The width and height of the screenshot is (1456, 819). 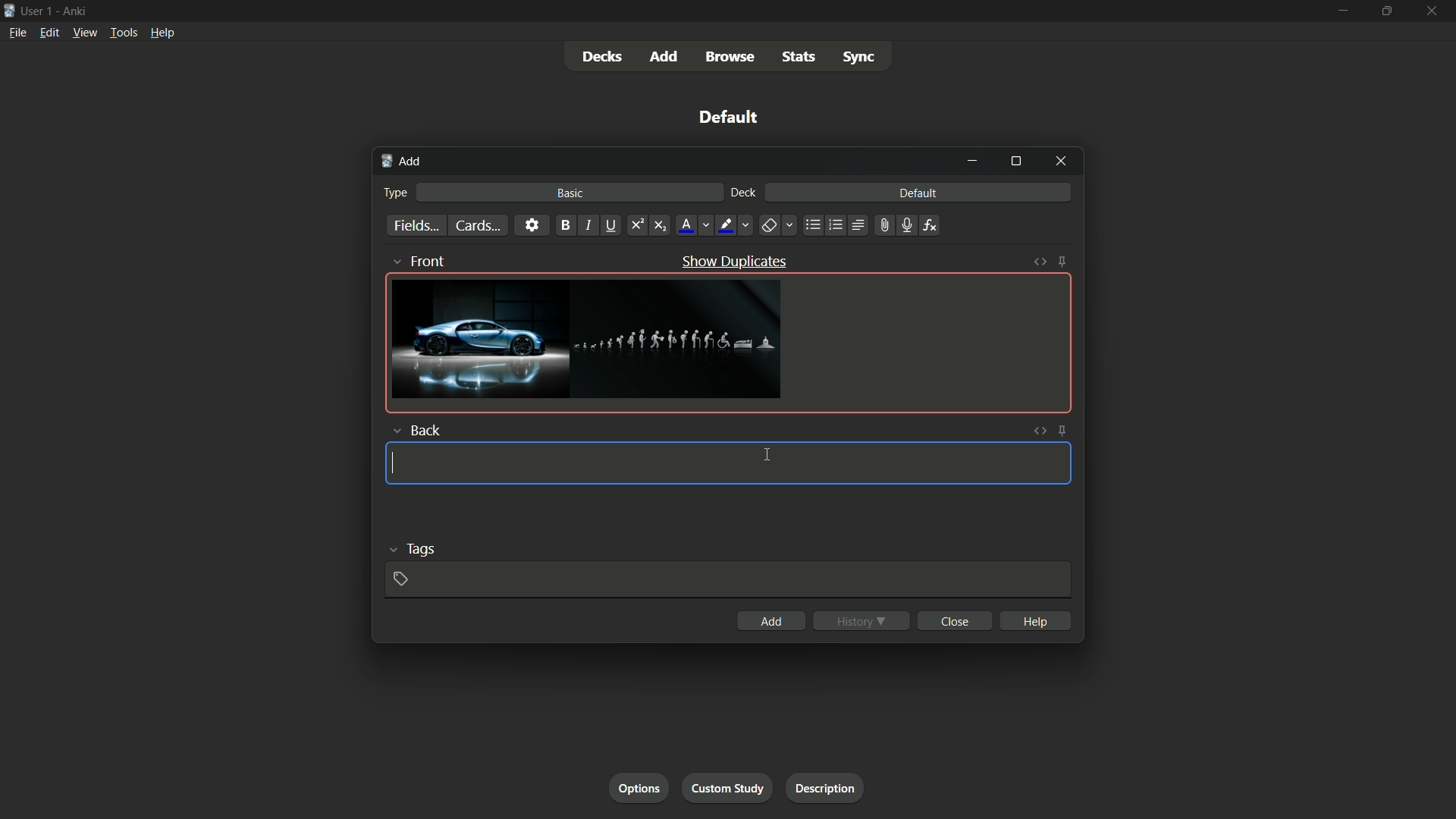 What do you see at coordinates (566, 225) in the screenshot?
I see `bold` at bounding box center [566, 225].